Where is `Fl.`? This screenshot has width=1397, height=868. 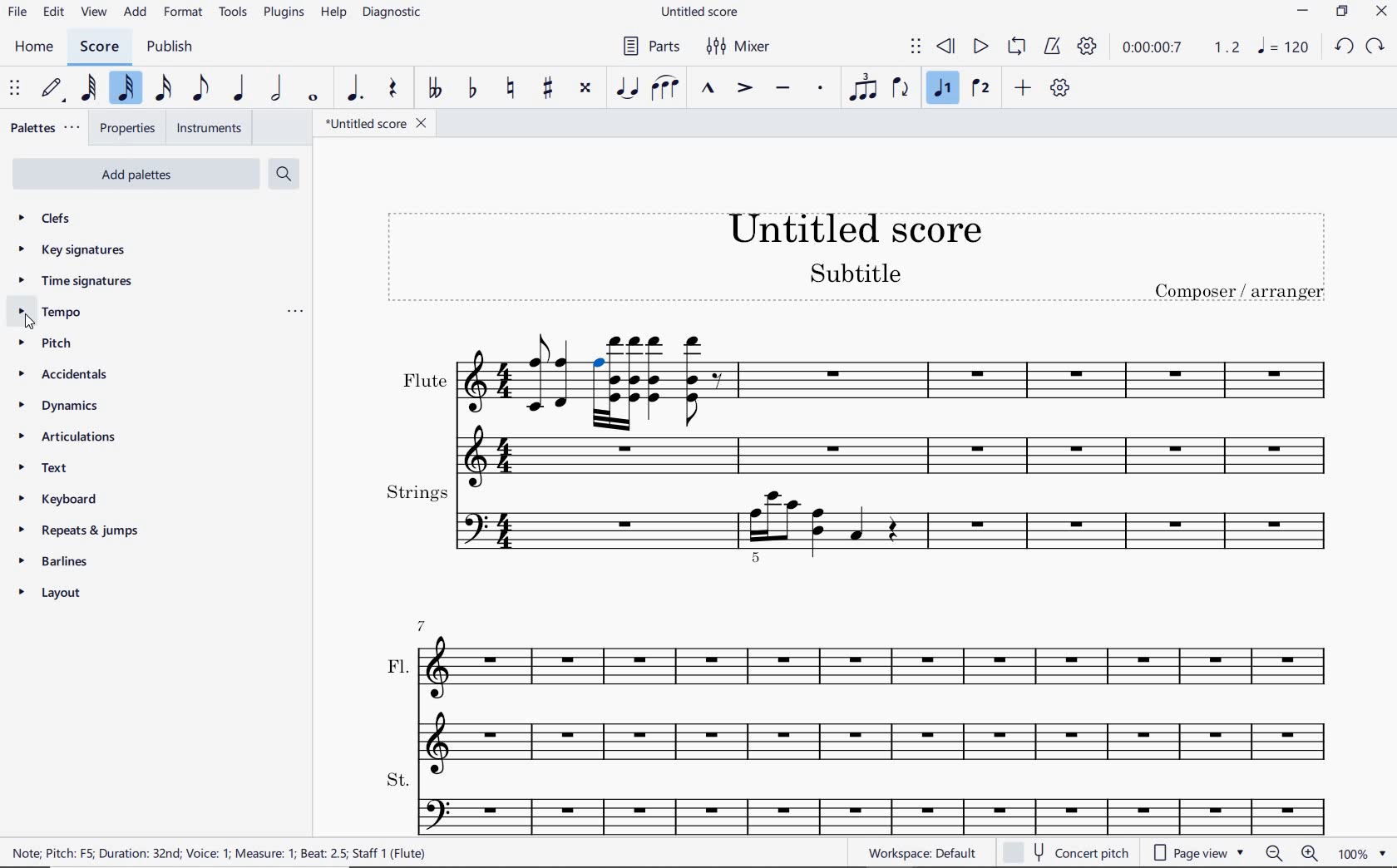
Fl. is located at coordinates (870, 688).